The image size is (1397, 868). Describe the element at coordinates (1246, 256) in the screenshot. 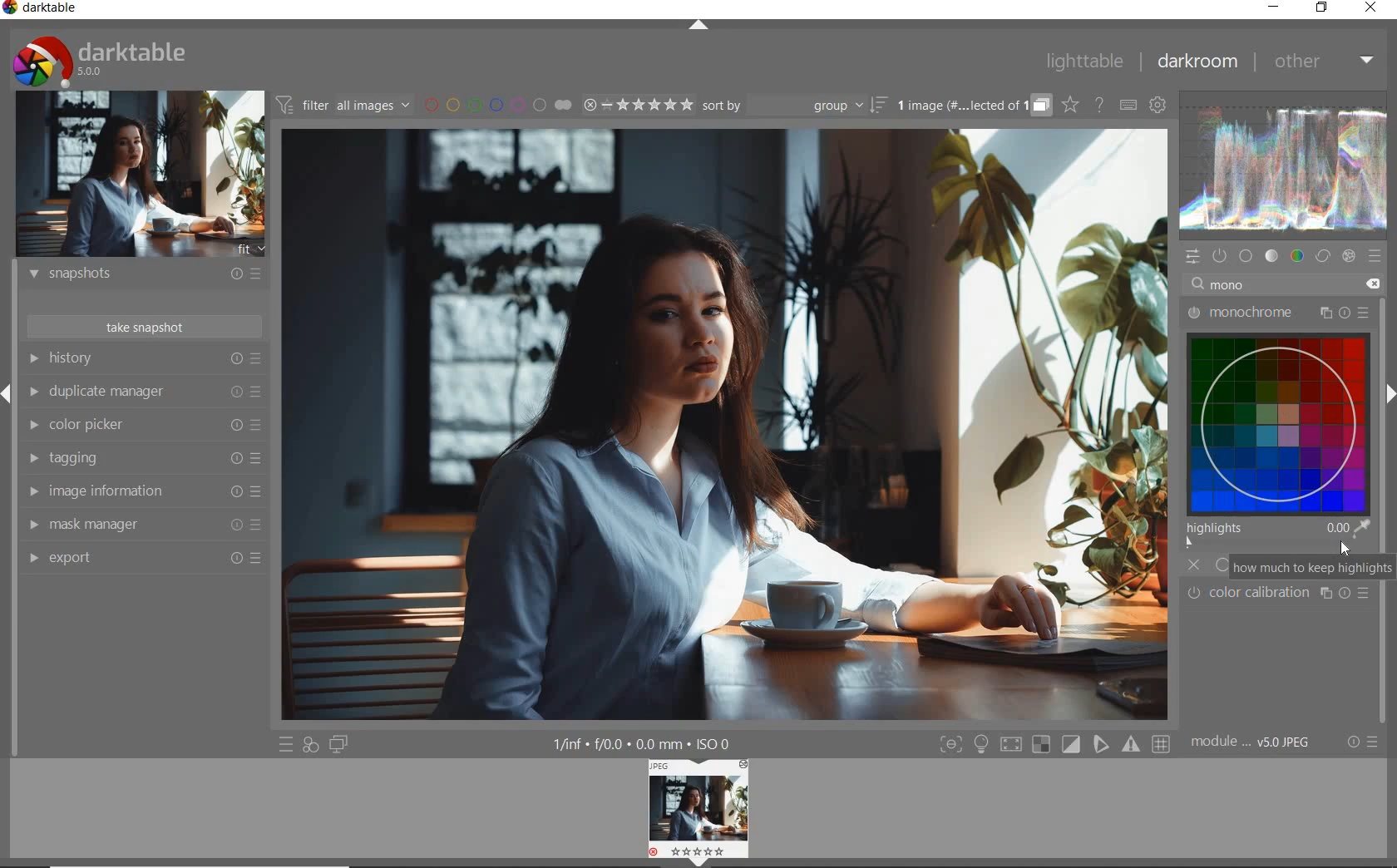

I see `base` at that location.